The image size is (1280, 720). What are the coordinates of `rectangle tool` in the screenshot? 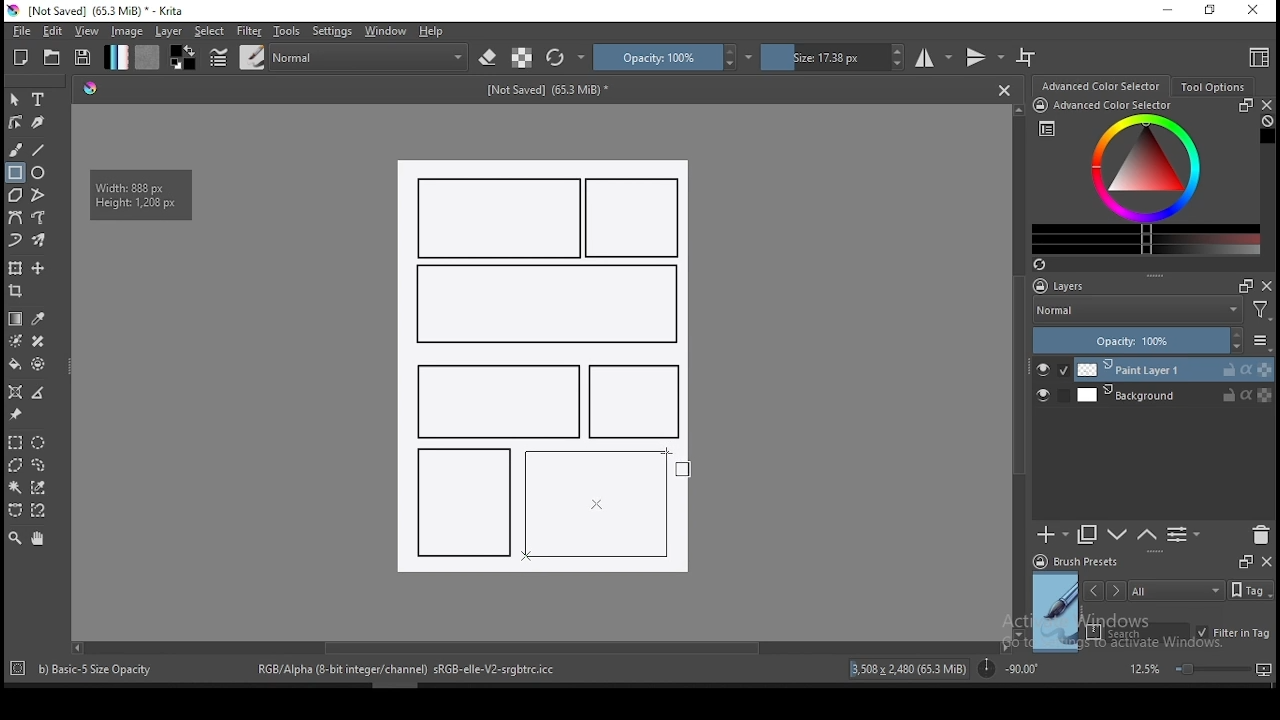 It's located at (15, 173).